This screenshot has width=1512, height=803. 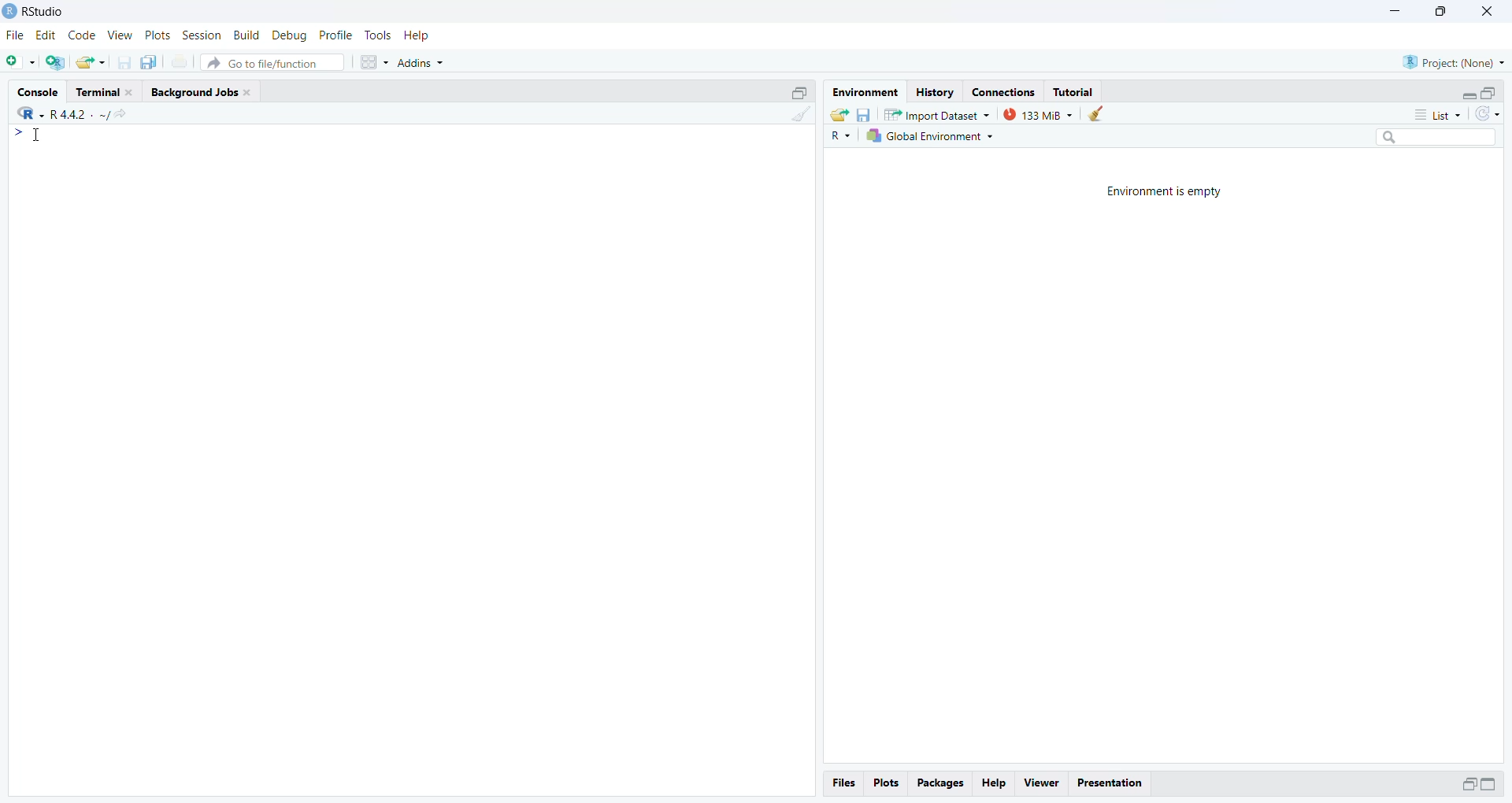 I want to click on Connections, so click(x=1003, y=92).